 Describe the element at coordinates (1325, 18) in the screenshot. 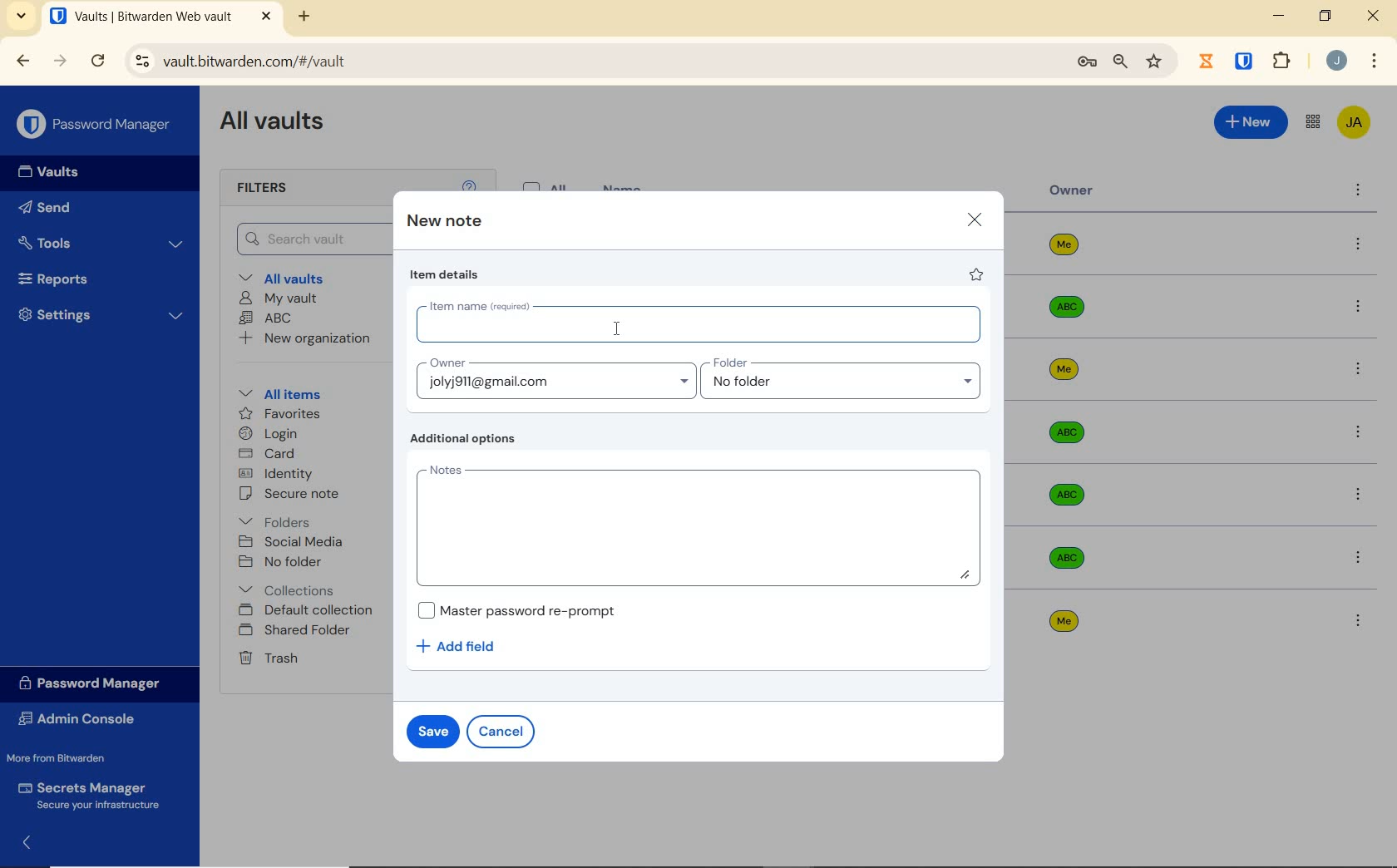

I see `RESTORE` at that location.